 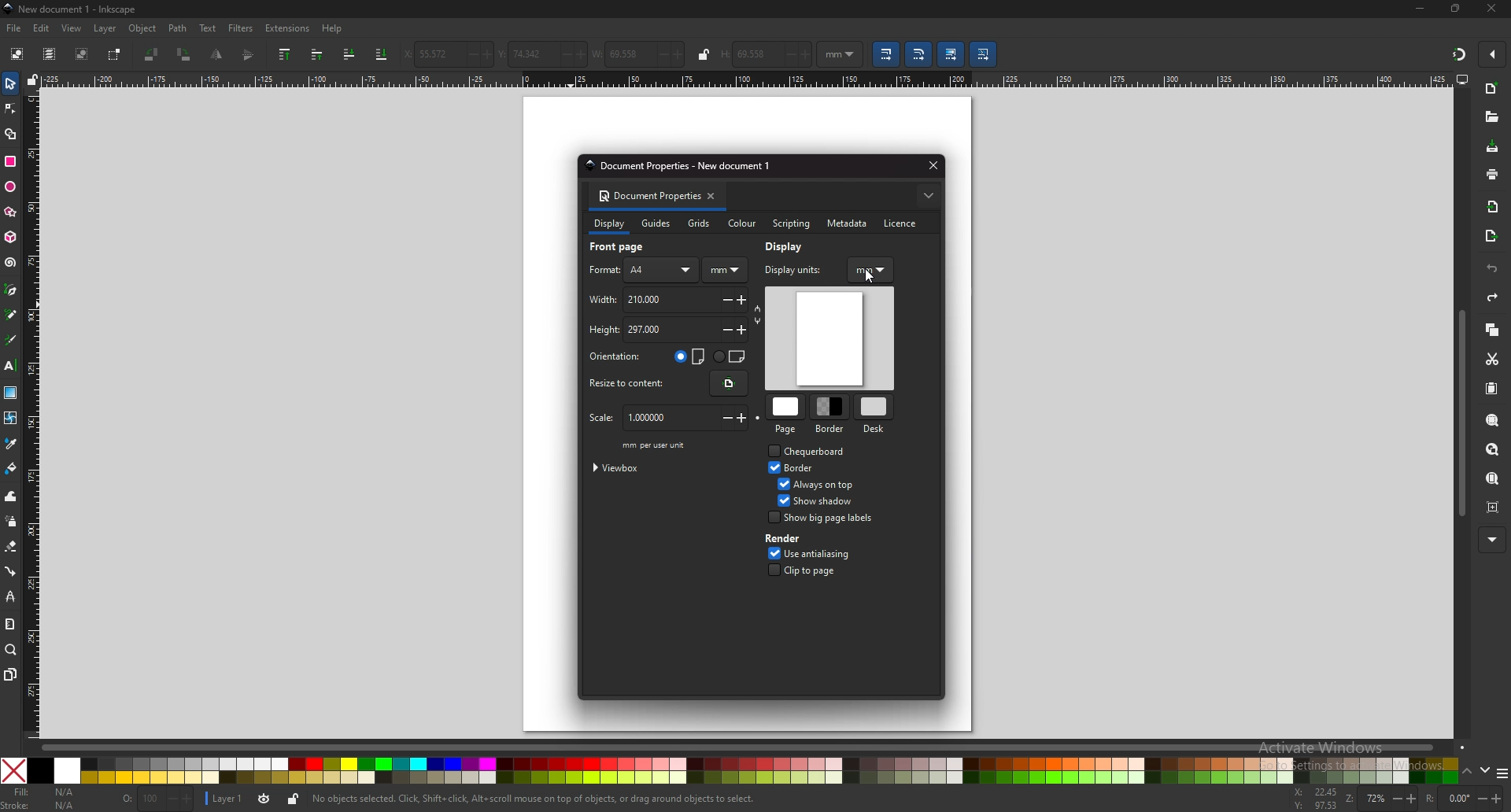 What do you see at coordinates (608, 226) in the screenshot?
I see `display` at bounding box center [608, 226].